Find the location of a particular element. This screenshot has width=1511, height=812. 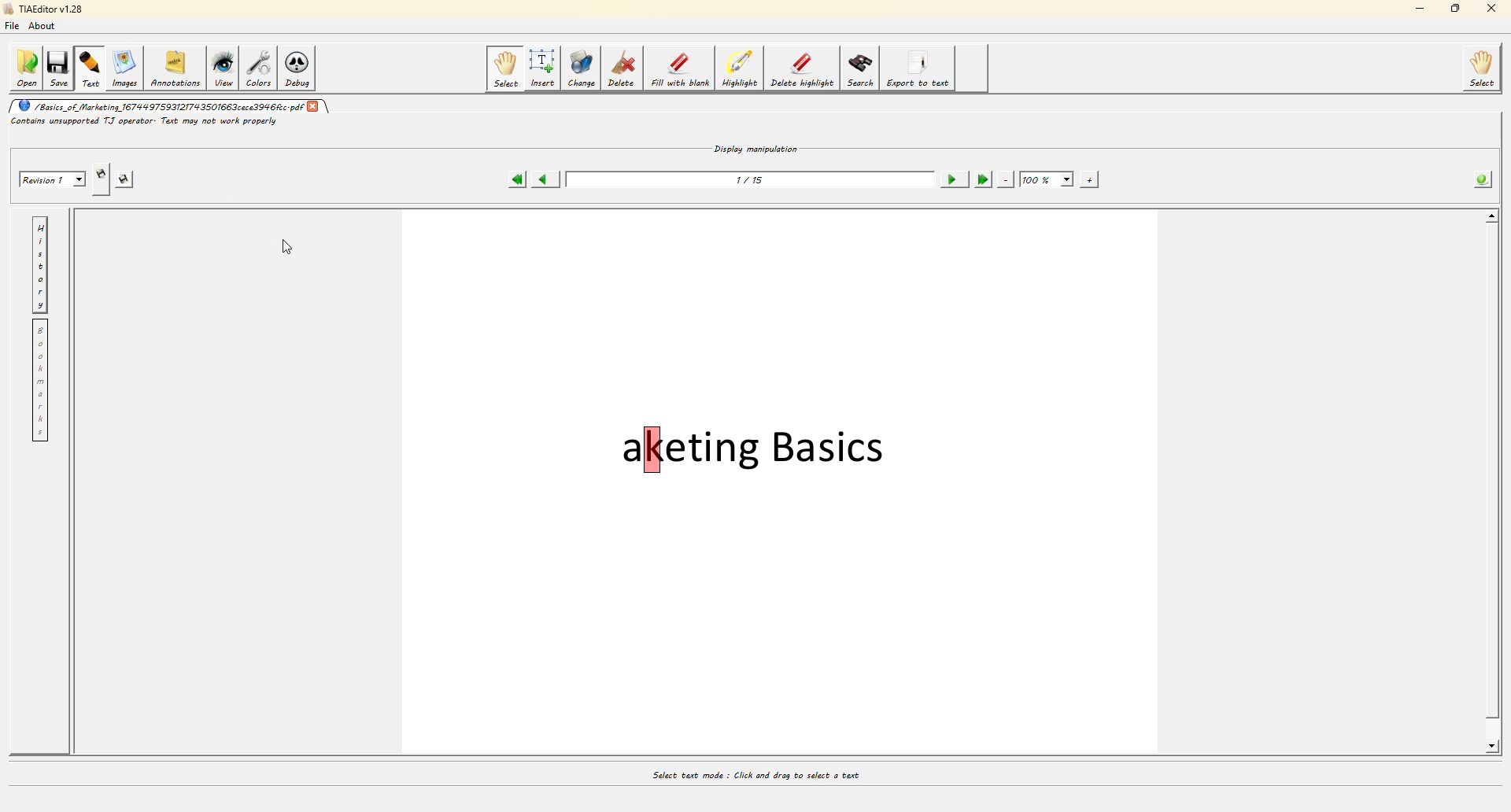

file is located at coordinates (16, 28).